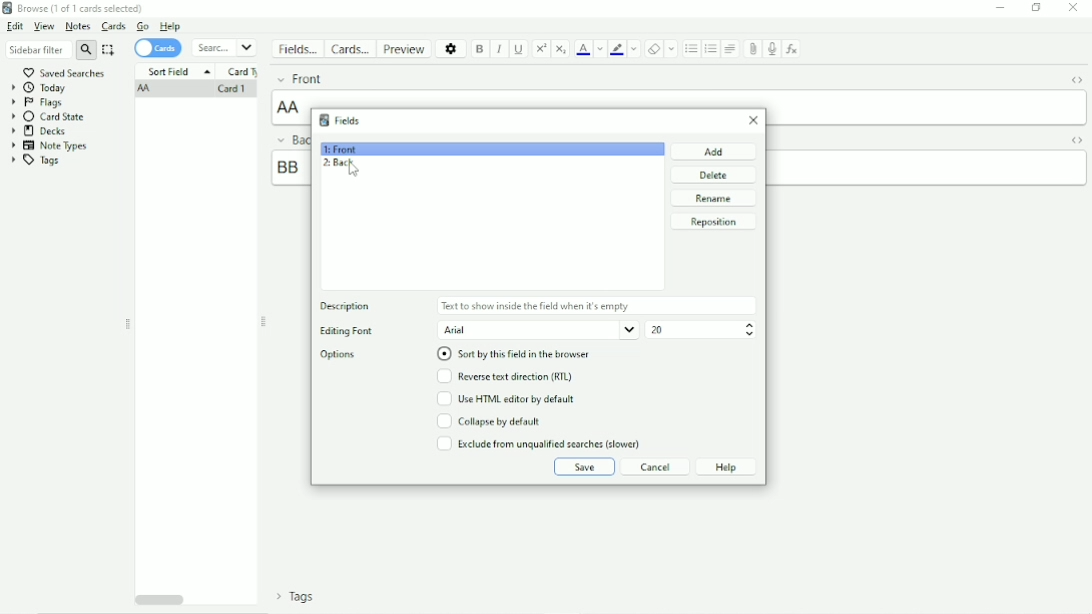 This screenshot has width=1092, height=614. Describe the element at coordinates (109, 50) in the screenshot. I see `Select` at that location.